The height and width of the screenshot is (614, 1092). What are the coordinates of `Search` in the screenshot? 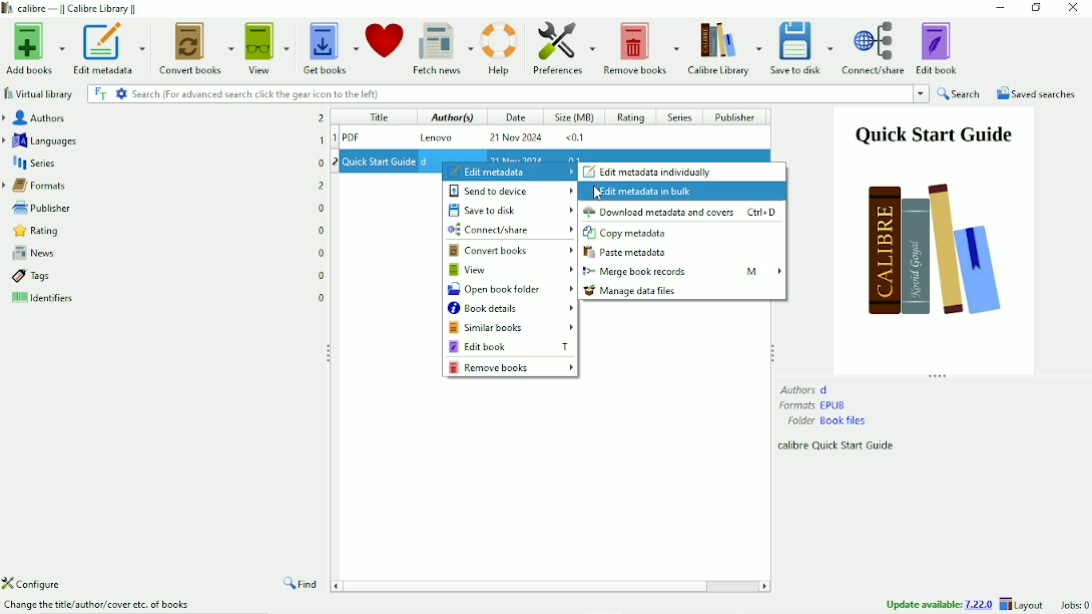 It's located at (960, 94).